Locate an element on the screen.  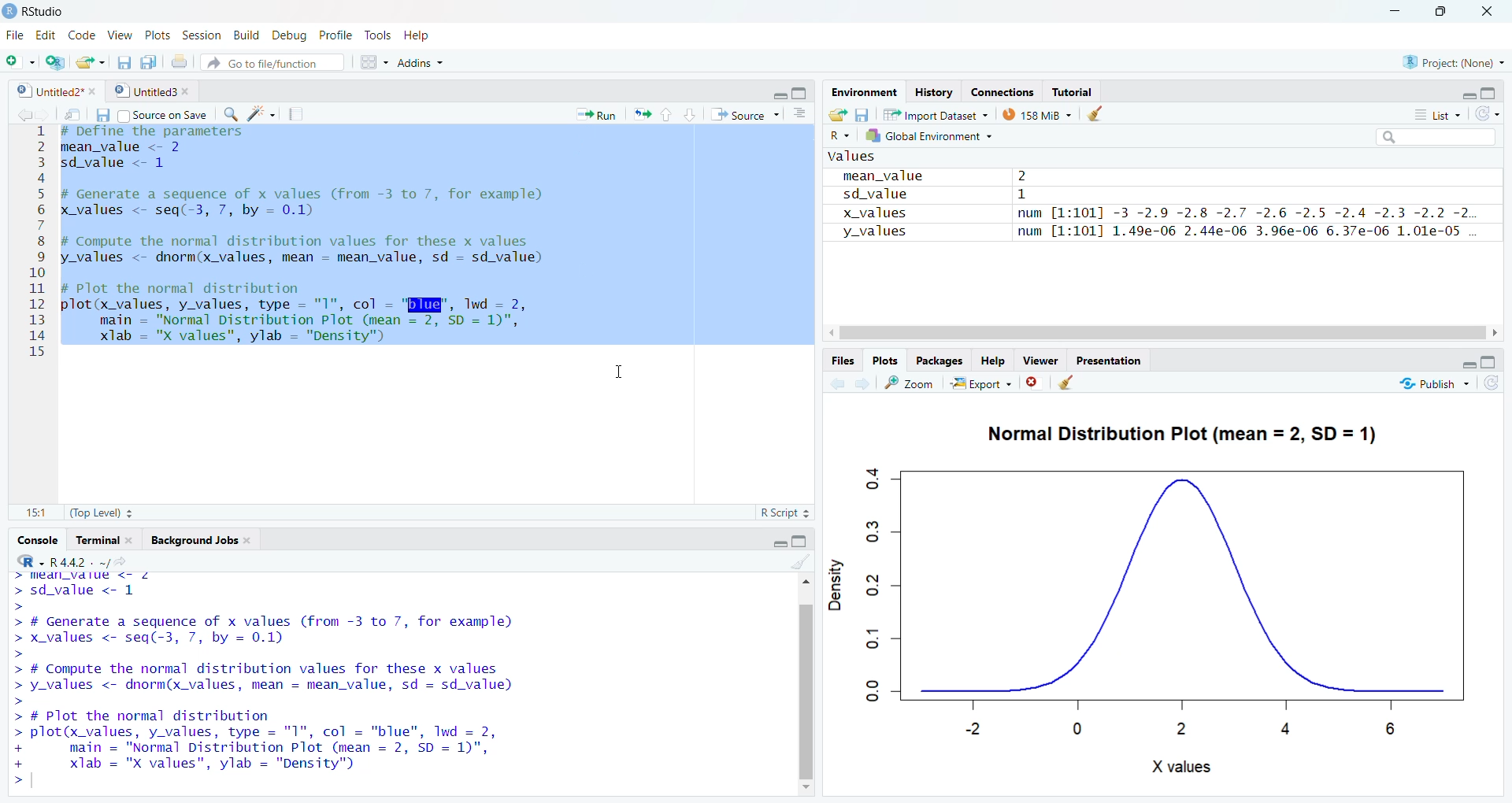
Help is located at coordinates (993, 357).